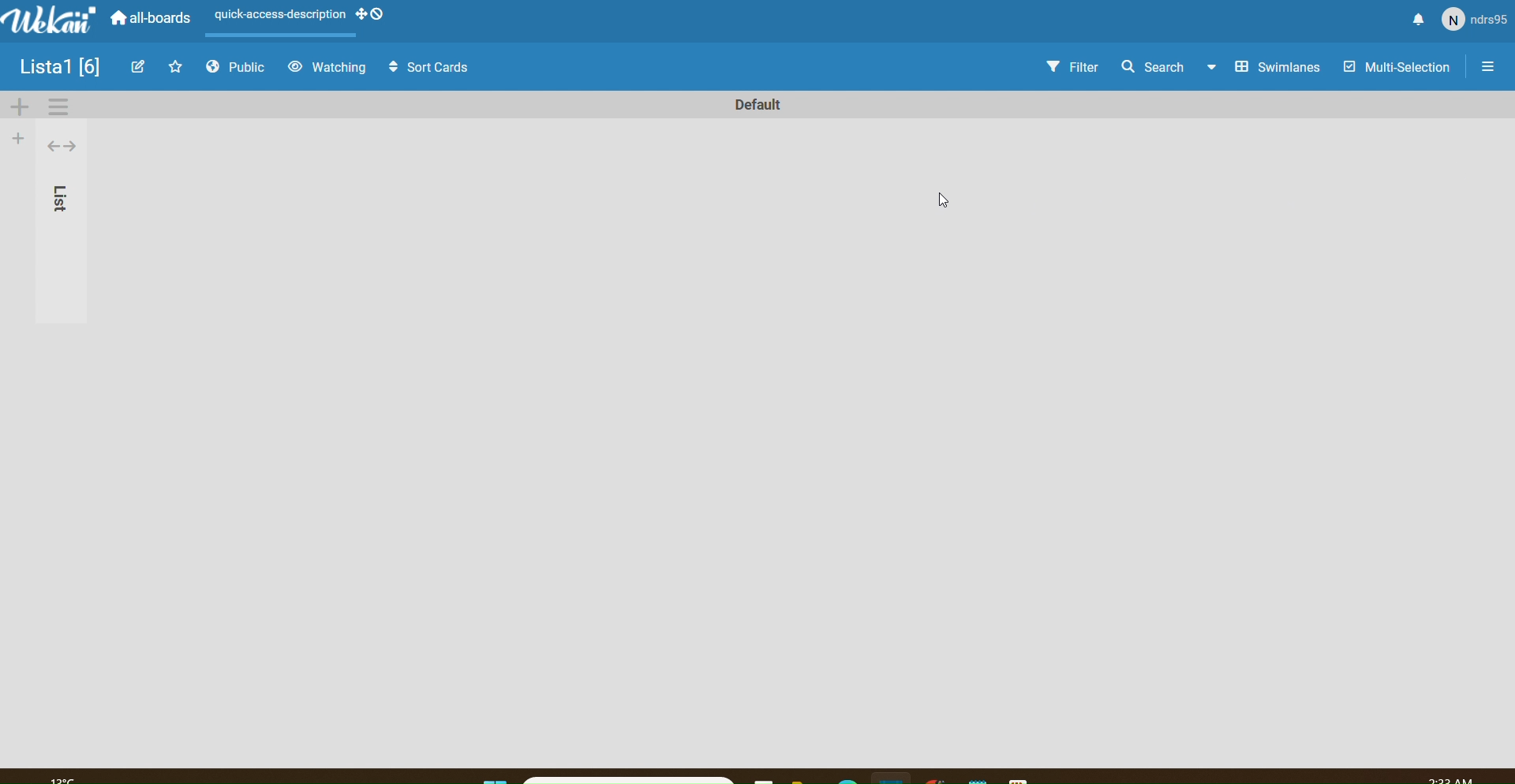  Describe the element at coordinates (1418, 23) in the screenshot. I see `Notify` at that location.